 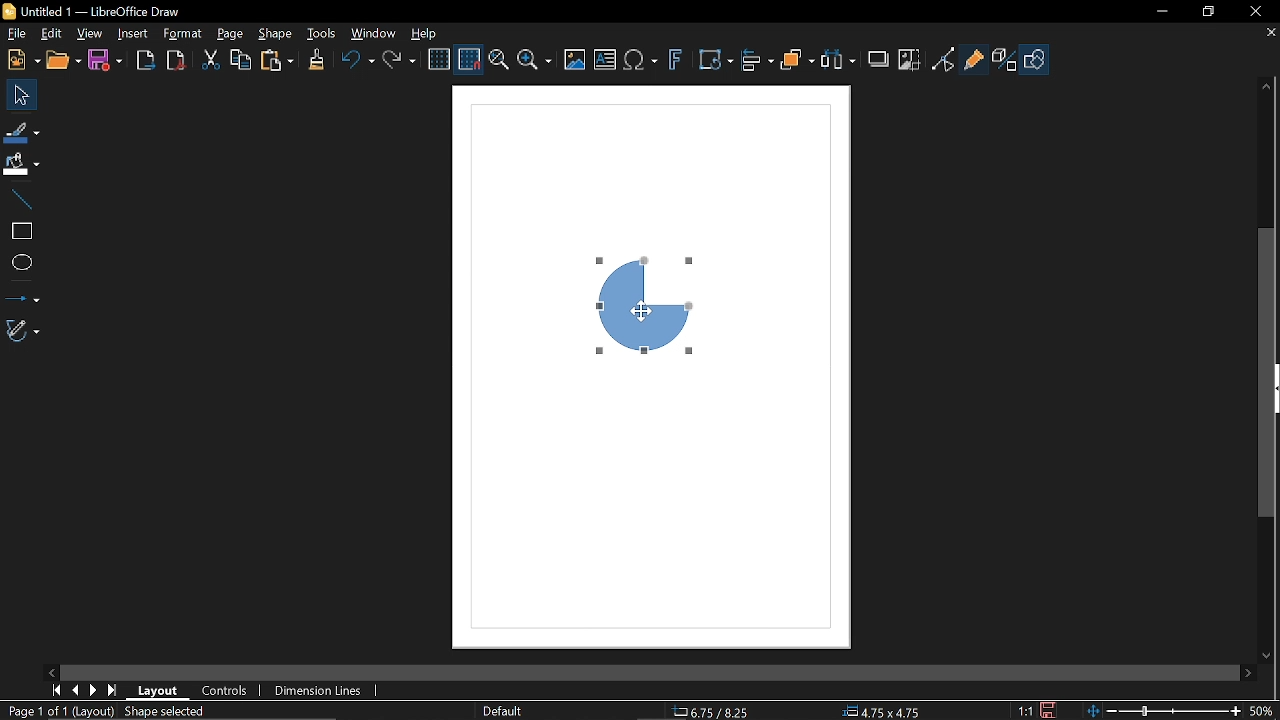 What do you see at coordinates (1270, 33) in the screenshot?
I see `Close tab` at bounding box center [1270, 33].